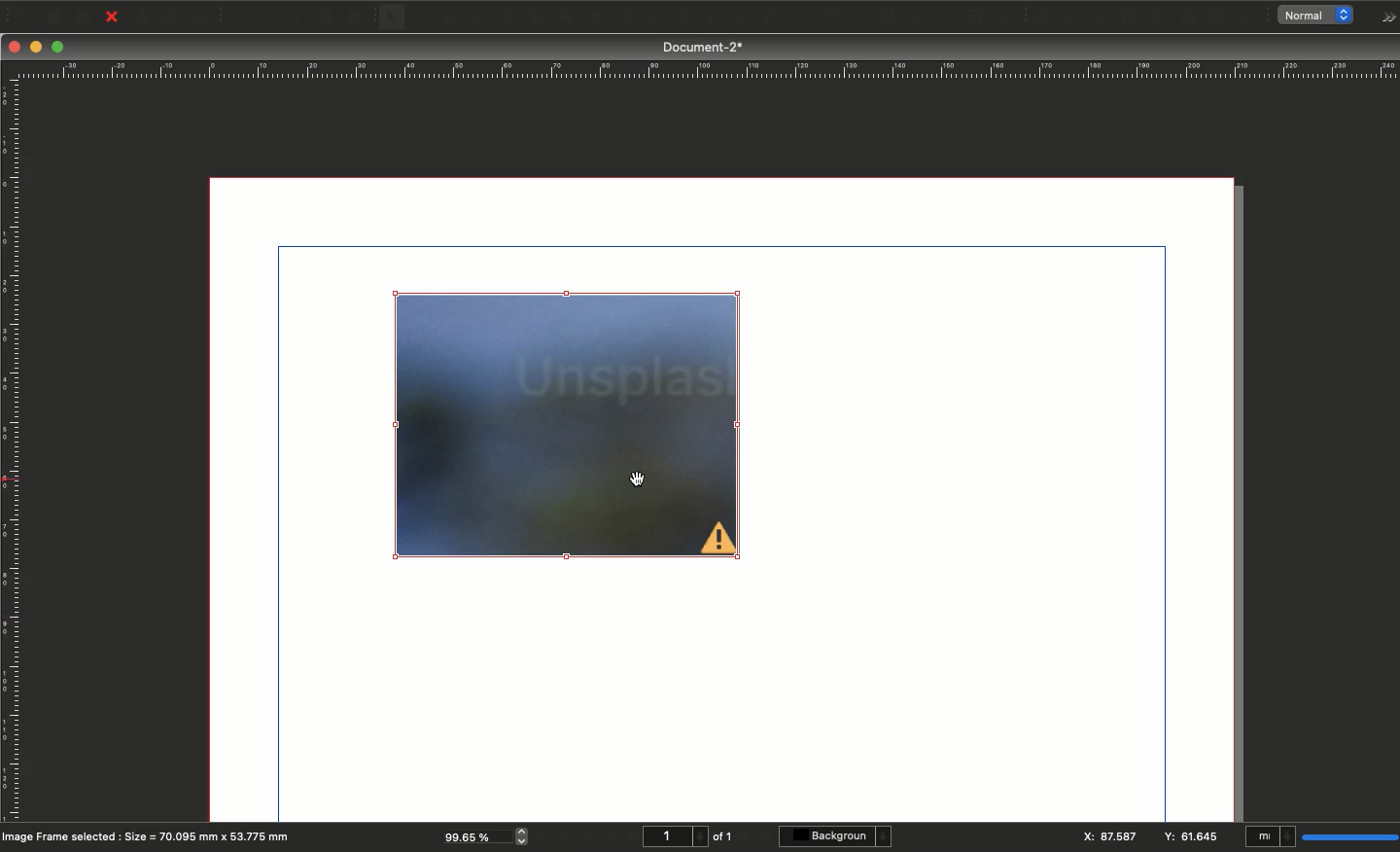 The image size is (1400, 852). What do you see at coordinates (59, 49) in the screenshot?
I see `Maximize` at bounding box center [59, 49].